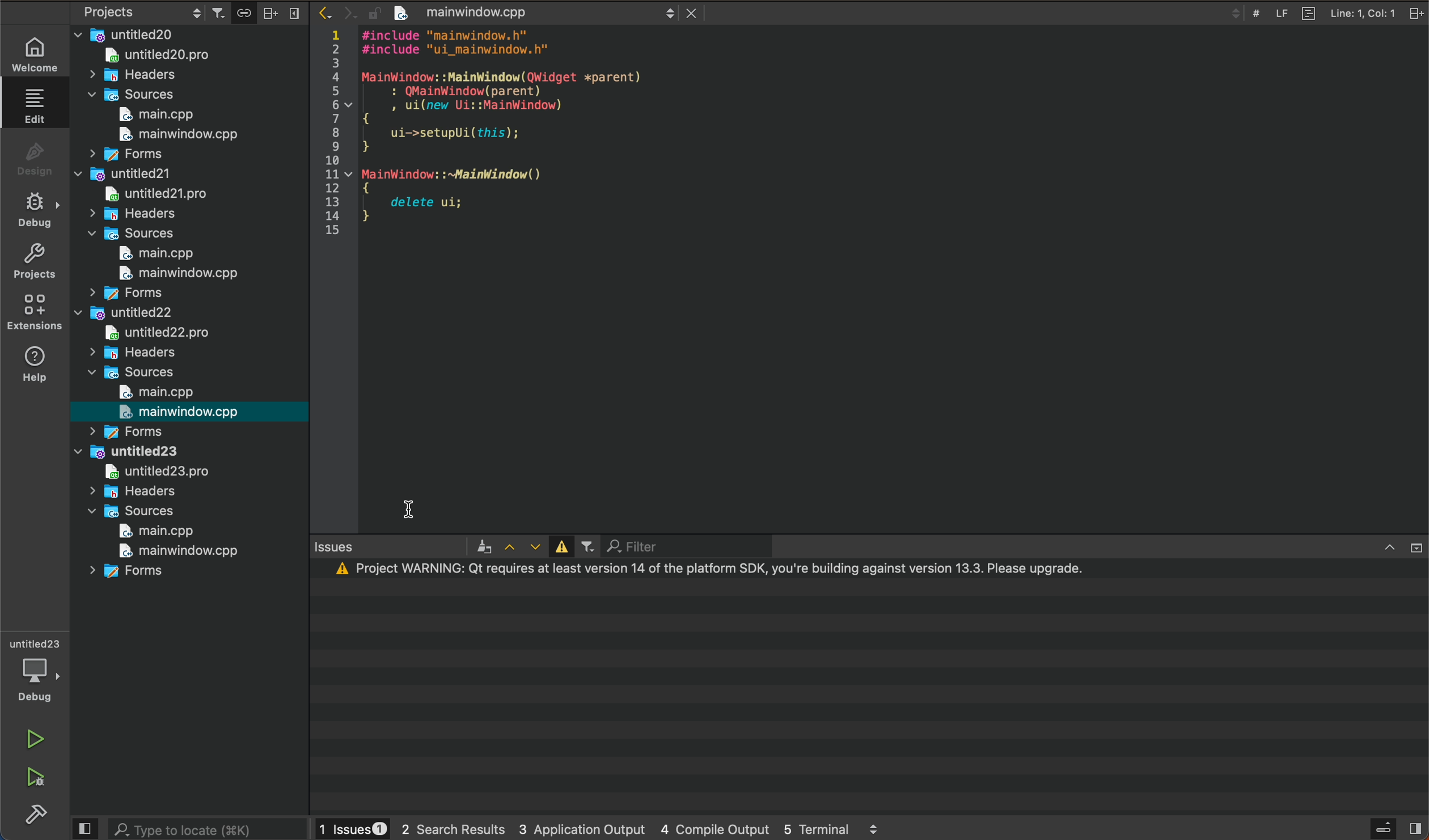 This screenshot has height=840, width=1429. What do you see at coordinates (664, 546) in the screenshot?
I see `filter` at bounding box center [664, 546].